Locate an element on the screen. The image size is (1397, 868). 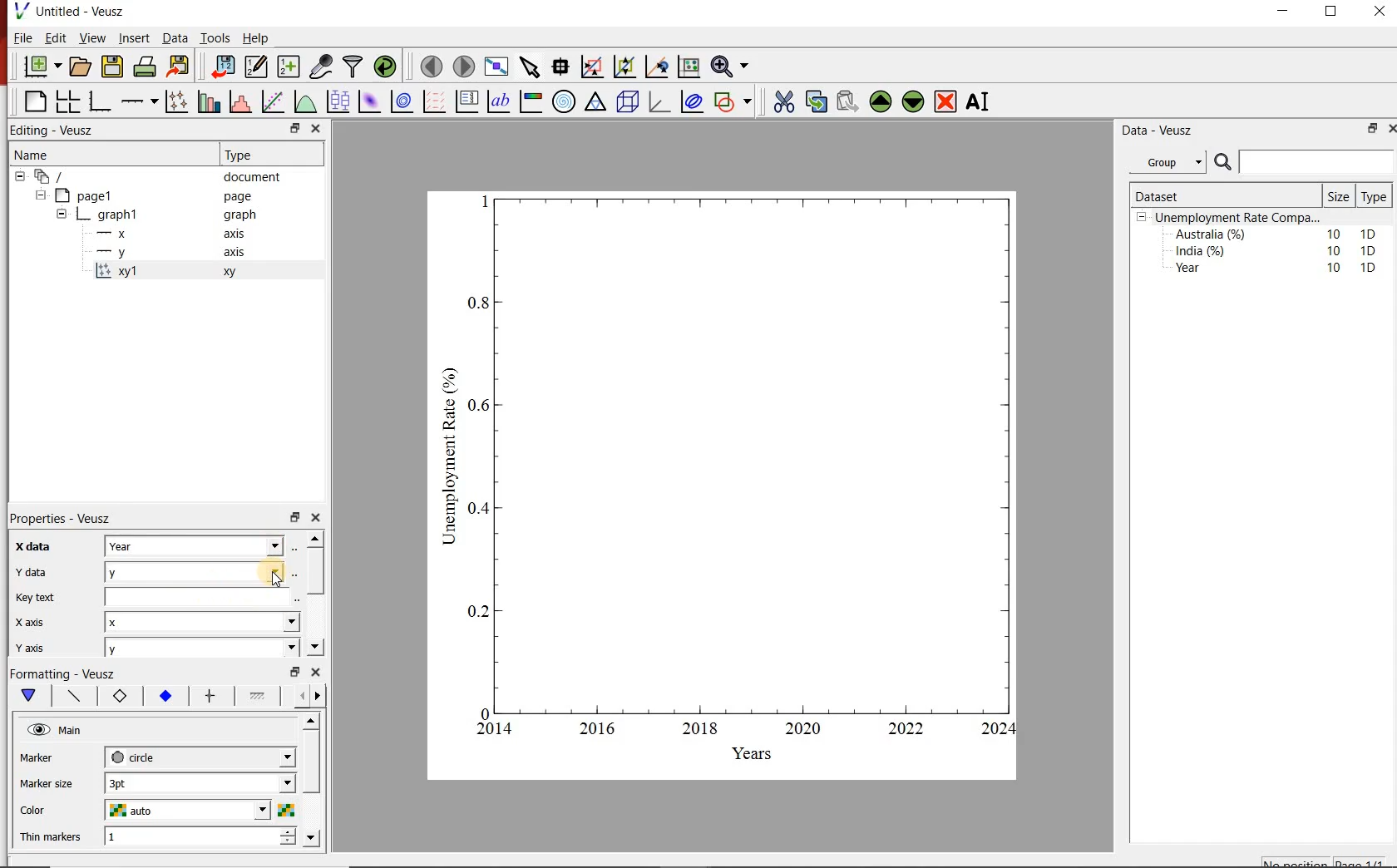
page1 page is located at coordinates (160, 195).